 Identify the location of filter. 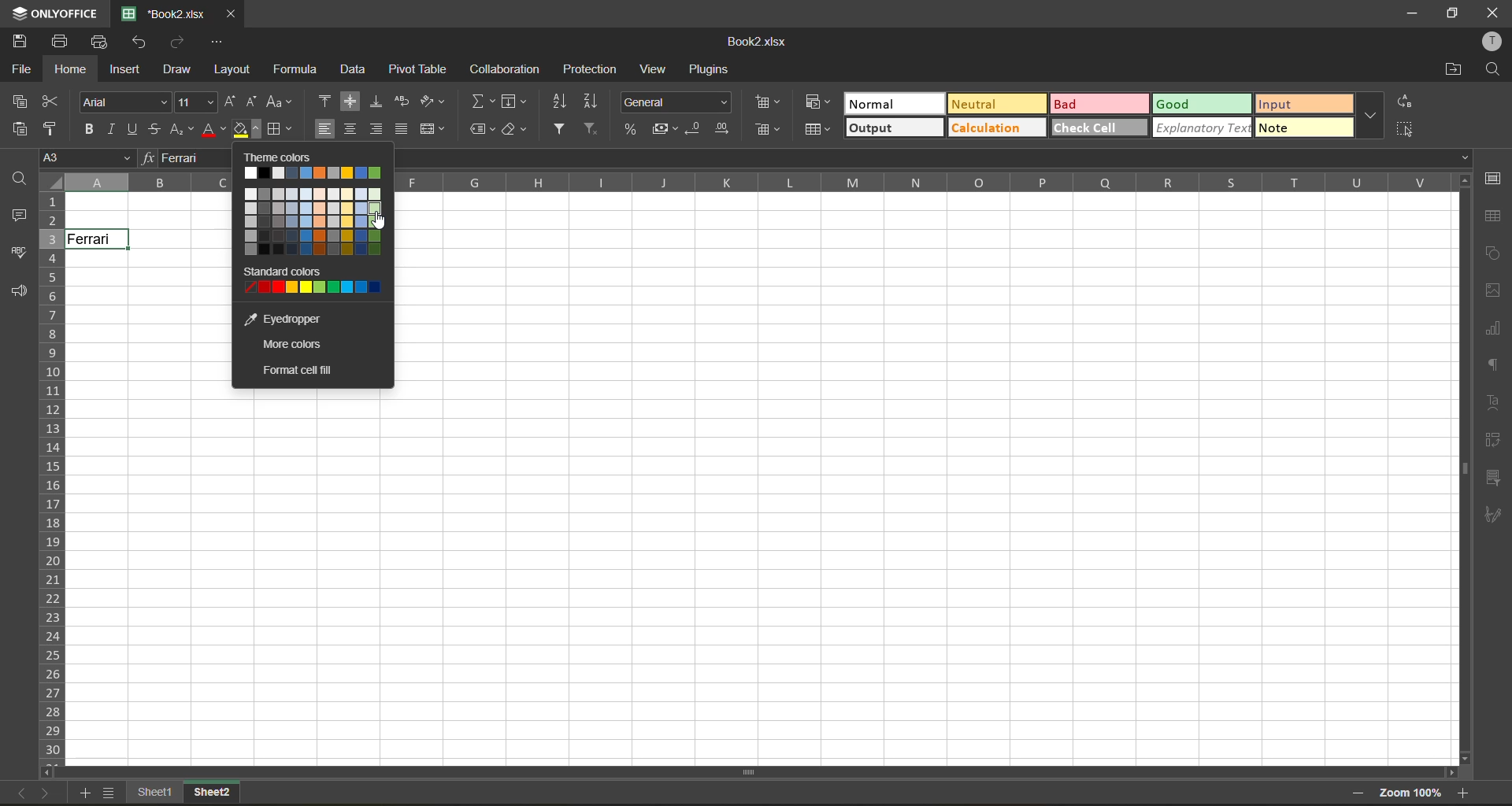
(561, 129).